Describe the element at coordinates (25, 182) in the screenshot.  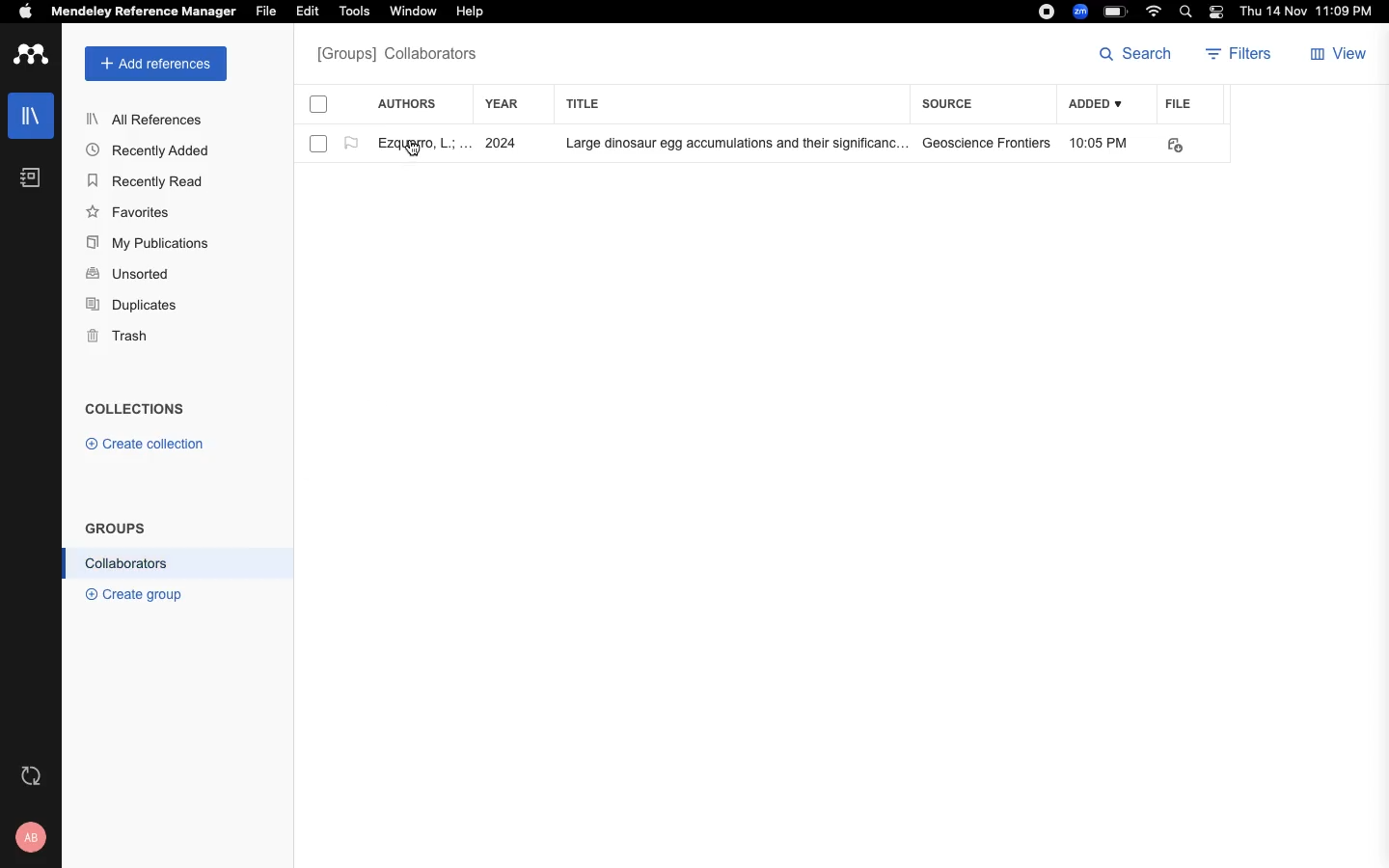
I see `notebook` at that location.